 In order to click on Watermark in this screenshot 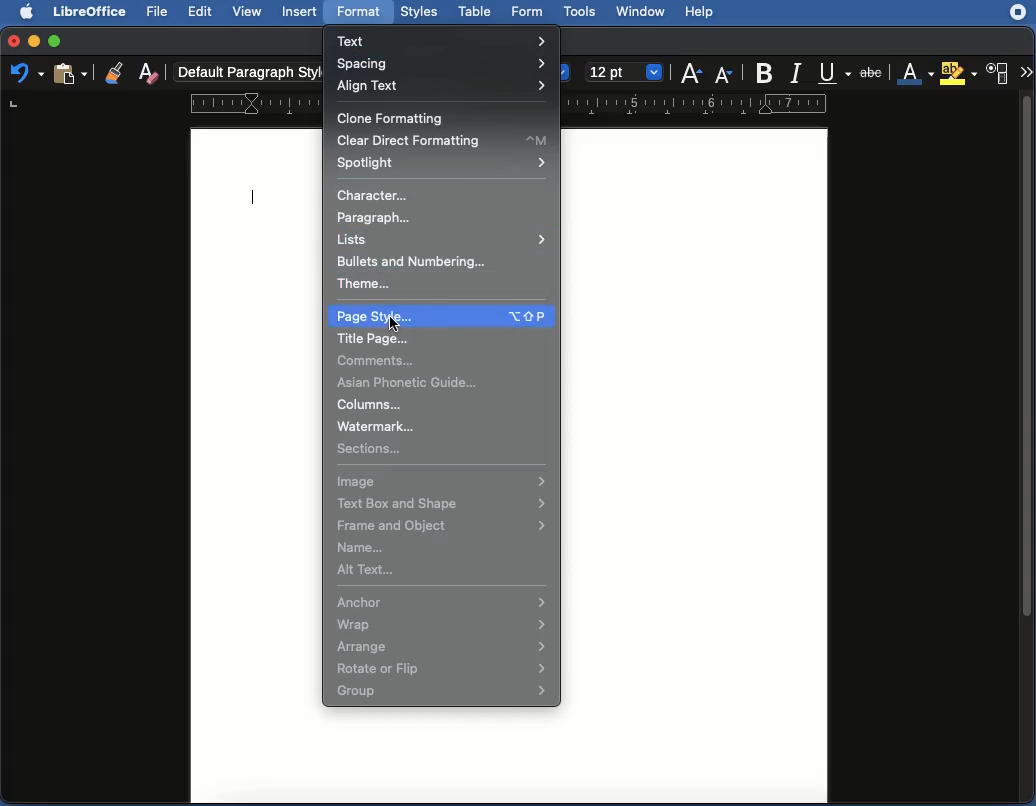, I will do `click(387, 426)`.